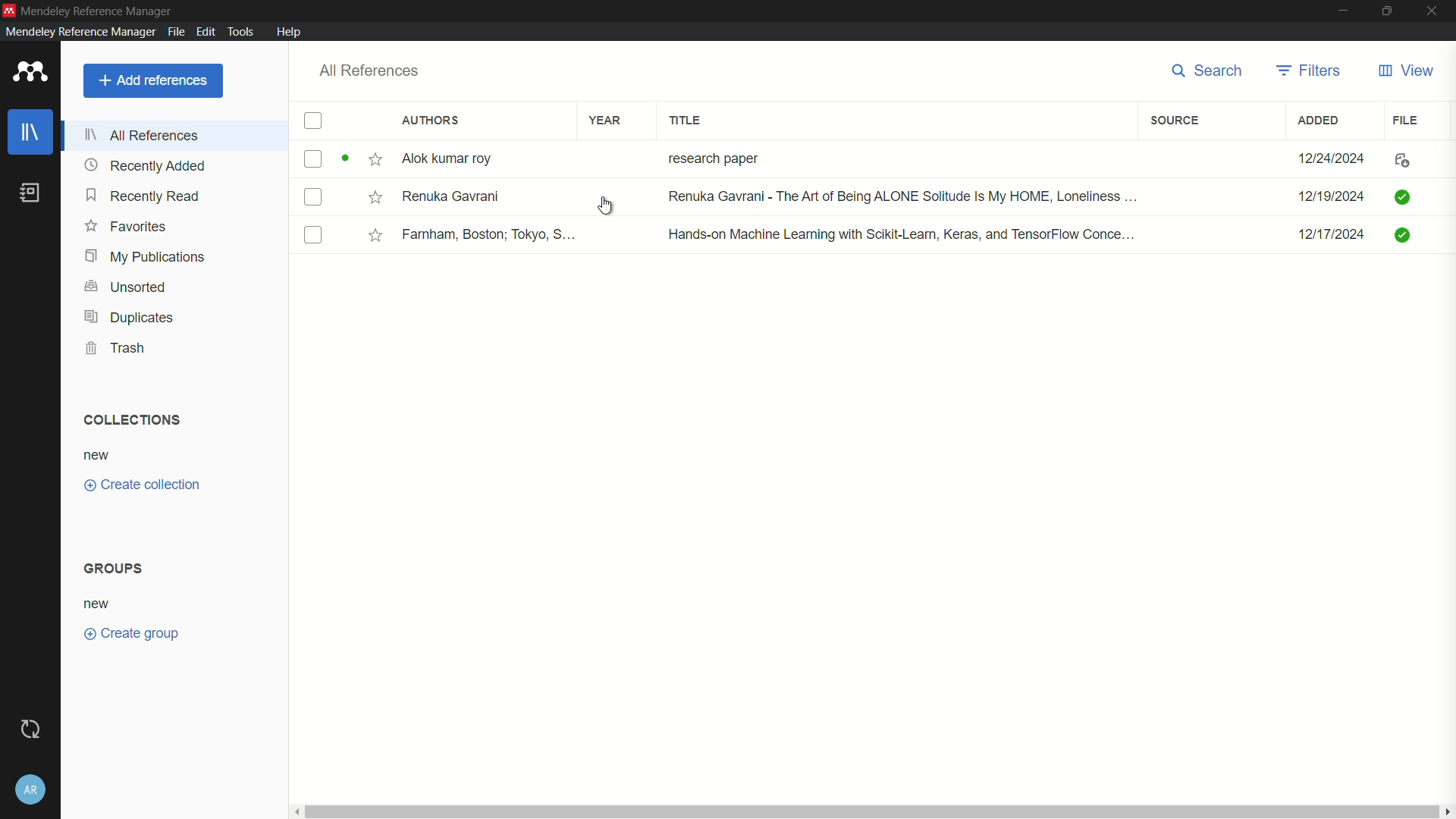  I want to click on app icon, so click(9, 11).